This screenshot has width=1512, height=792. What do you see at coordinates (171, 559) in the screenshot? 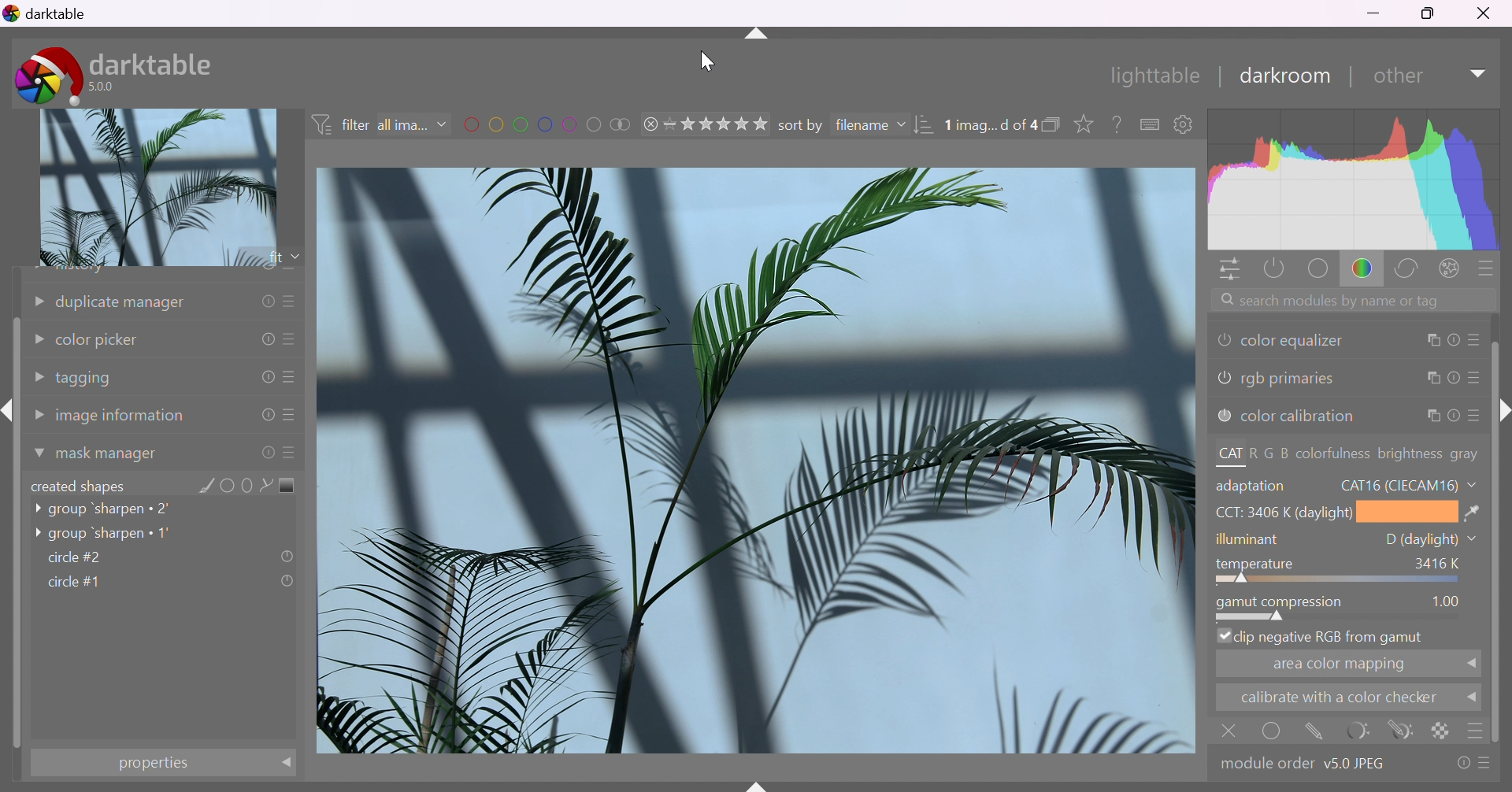
I see `circle#2` at bounding box center [171, 559].